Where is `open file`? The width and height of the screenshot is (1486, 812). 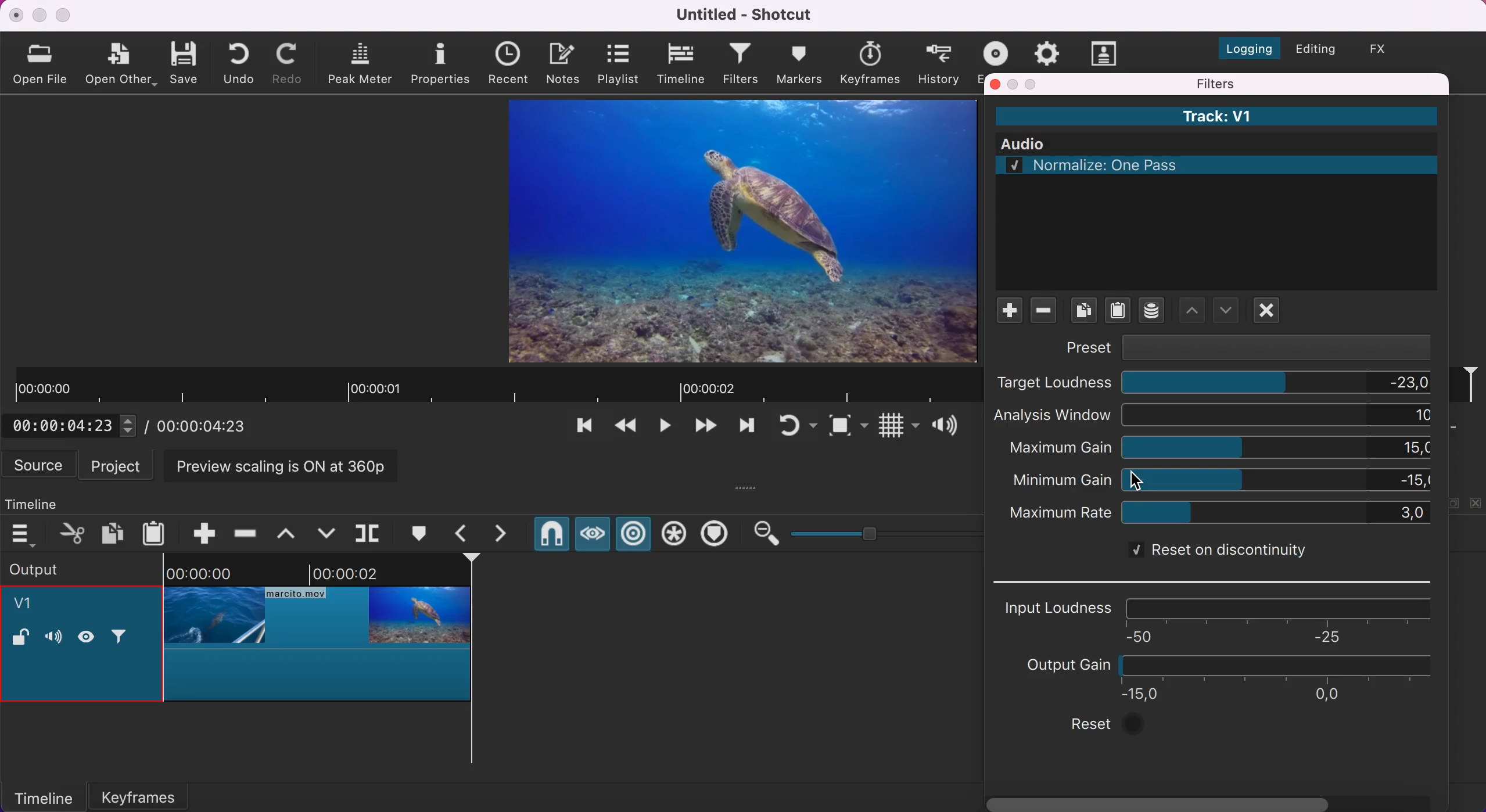 open file is located at coordinates (43, 63).